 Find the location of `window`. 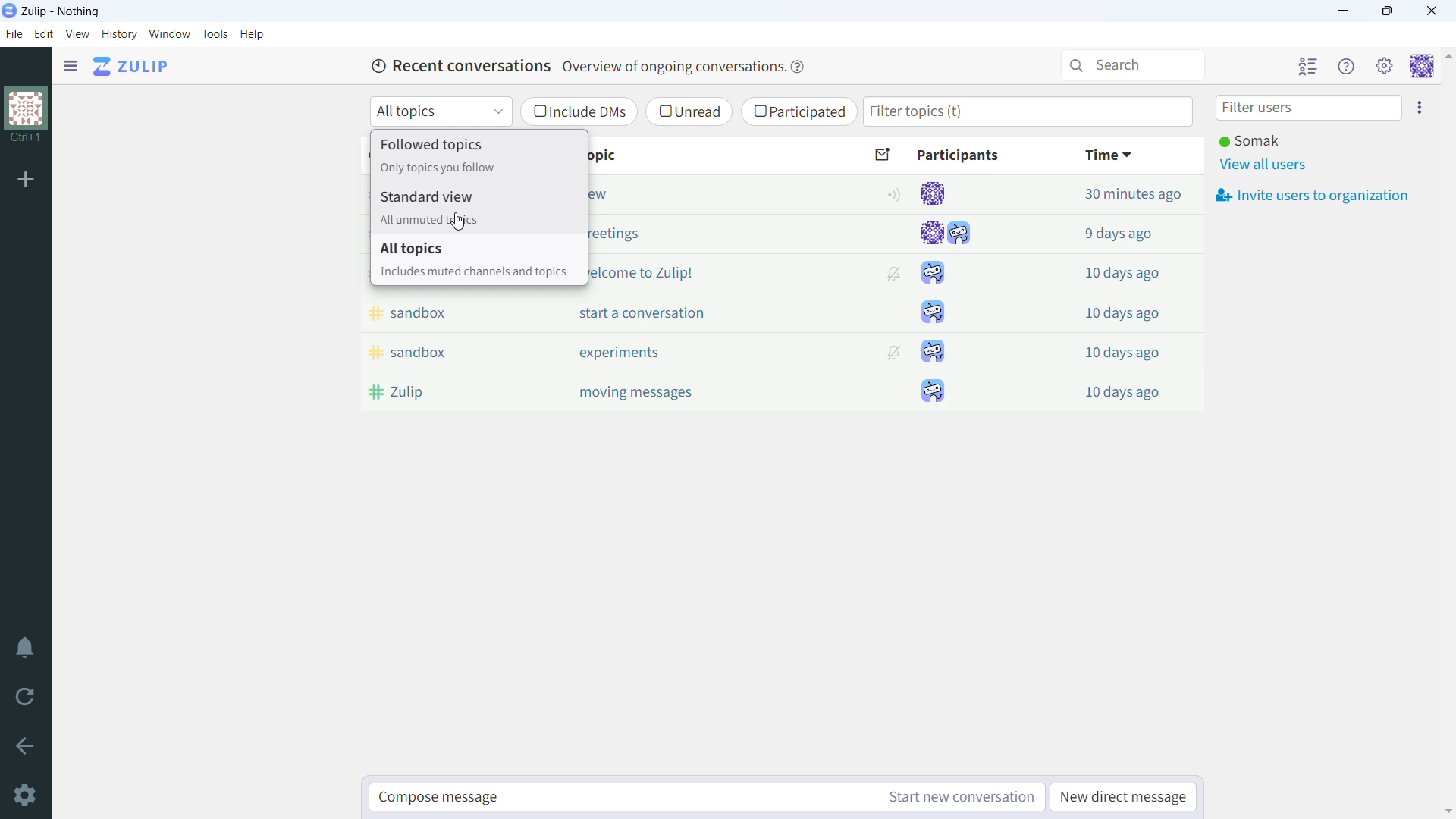

window is located at coordinates (170, 34).